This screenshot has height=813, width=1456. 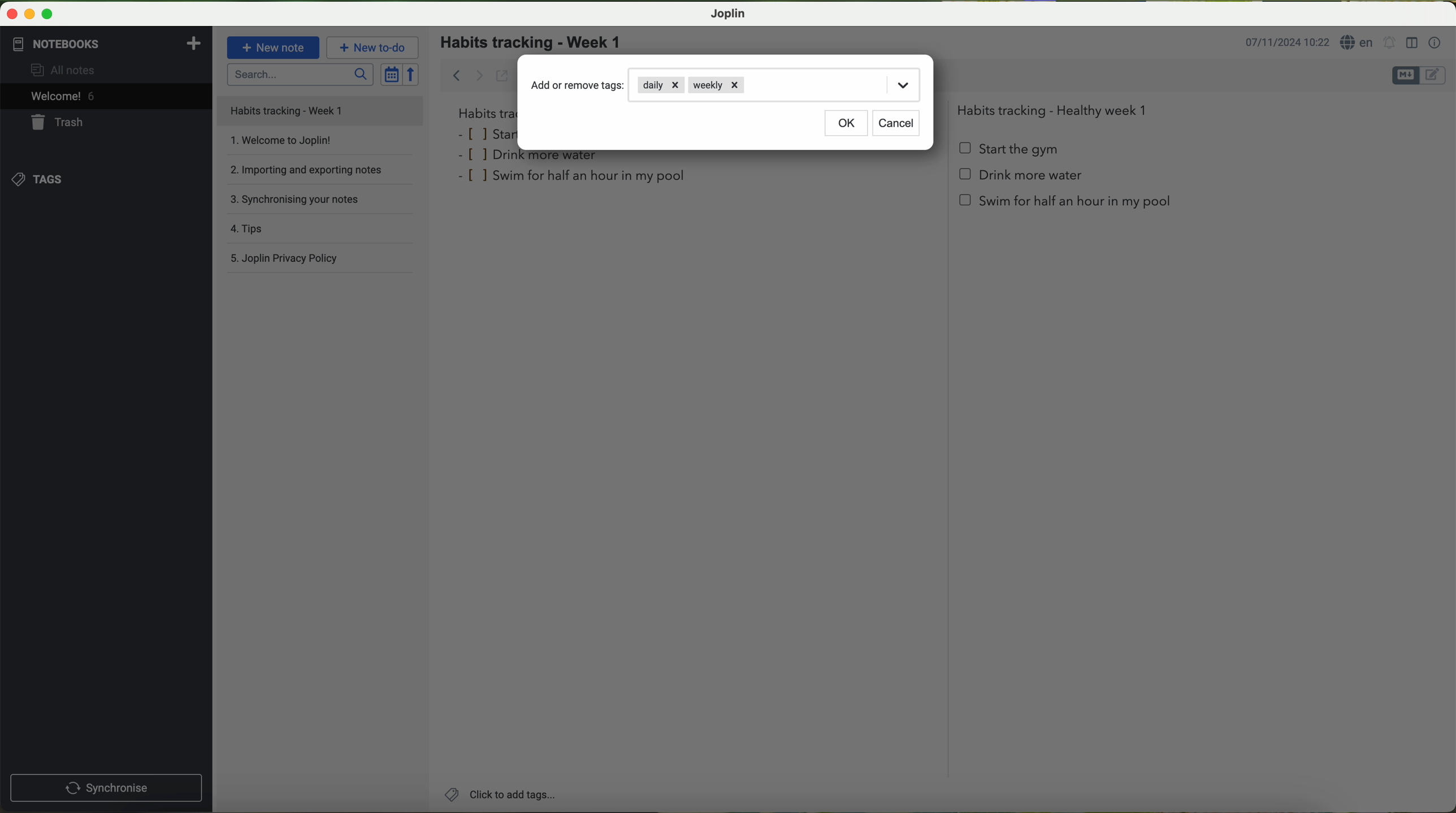 I want to click on notebooks tab, so click(x=108, y=44).